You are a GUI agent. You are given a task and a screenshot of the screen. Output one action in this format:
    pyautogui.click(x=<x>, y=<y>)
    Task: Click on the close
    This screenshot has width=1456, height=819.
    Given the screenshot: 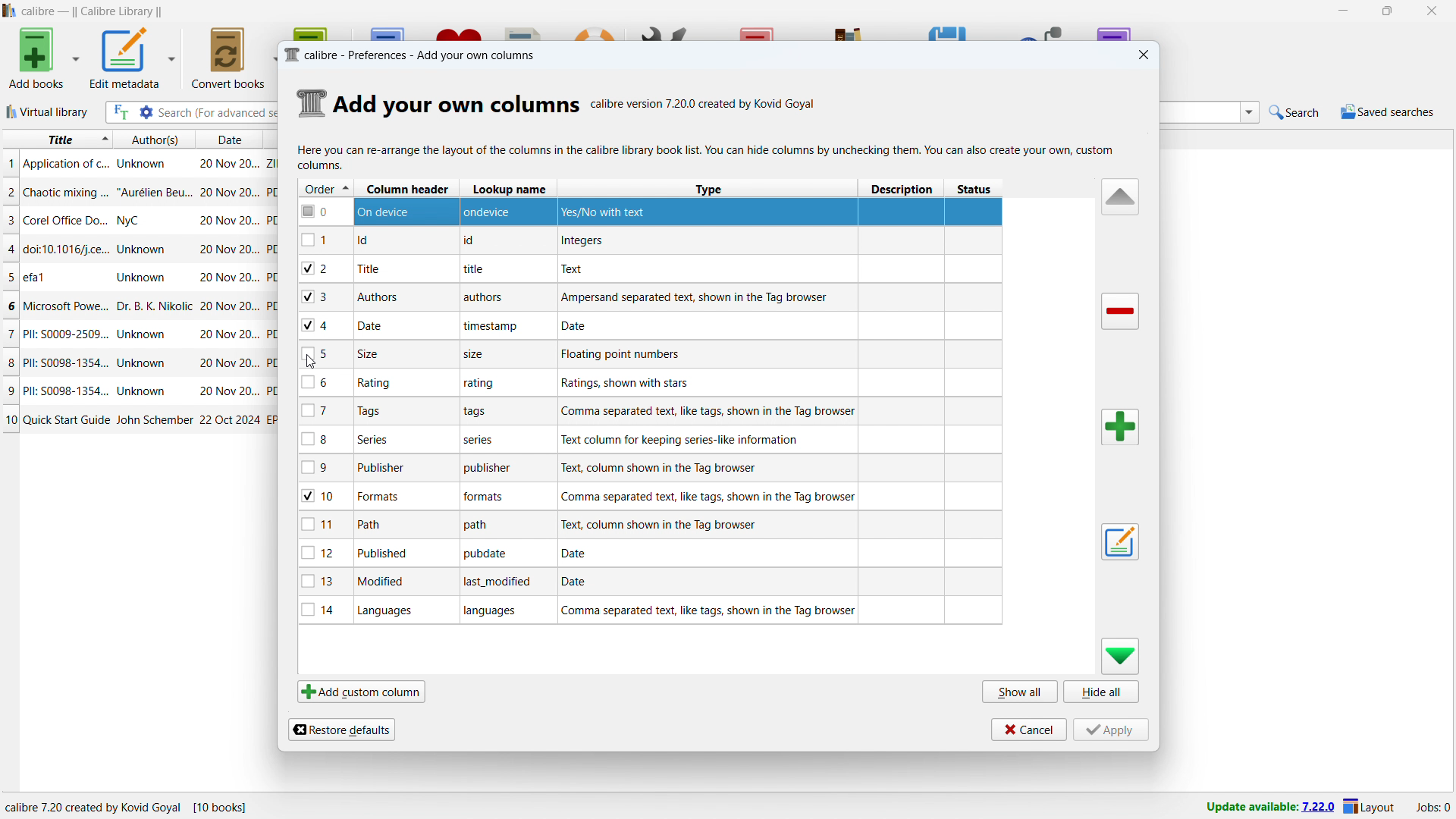 What is the action you would take?
    pyautogui.click(x=1142, y=55)
    